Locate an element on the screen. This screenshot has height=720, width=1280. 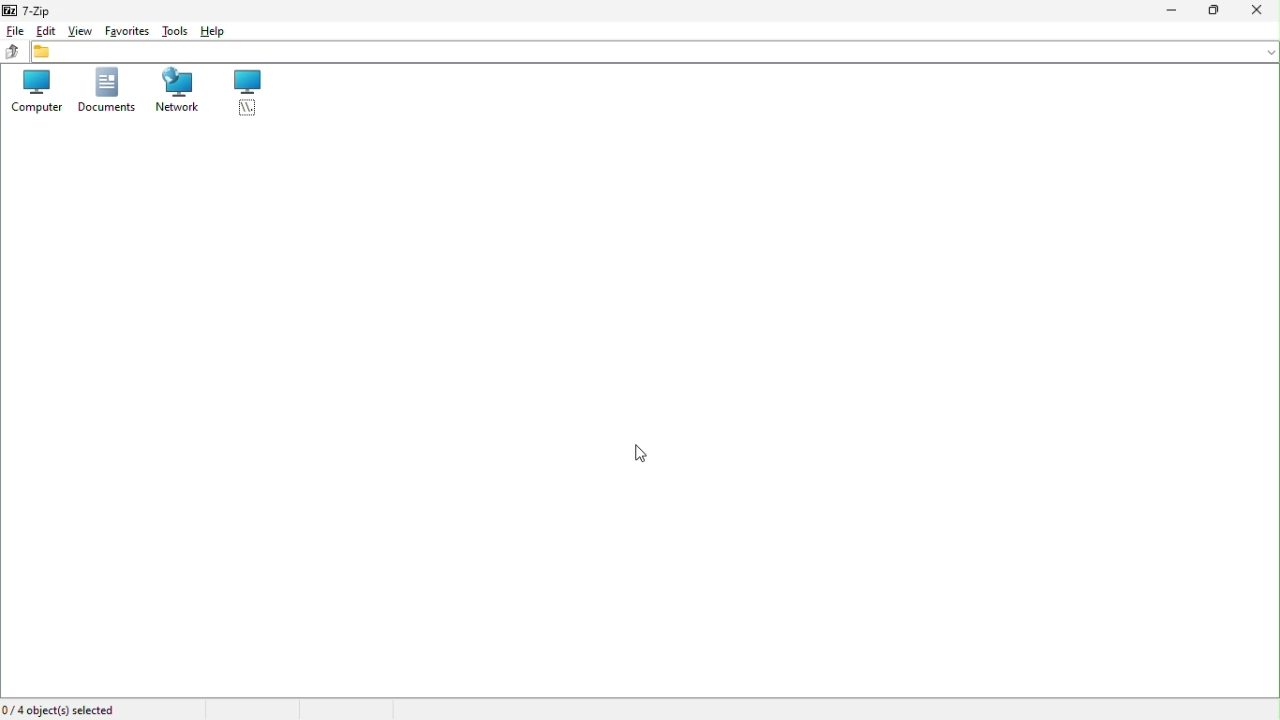
File address bar  is located at coordinates (656, 54).